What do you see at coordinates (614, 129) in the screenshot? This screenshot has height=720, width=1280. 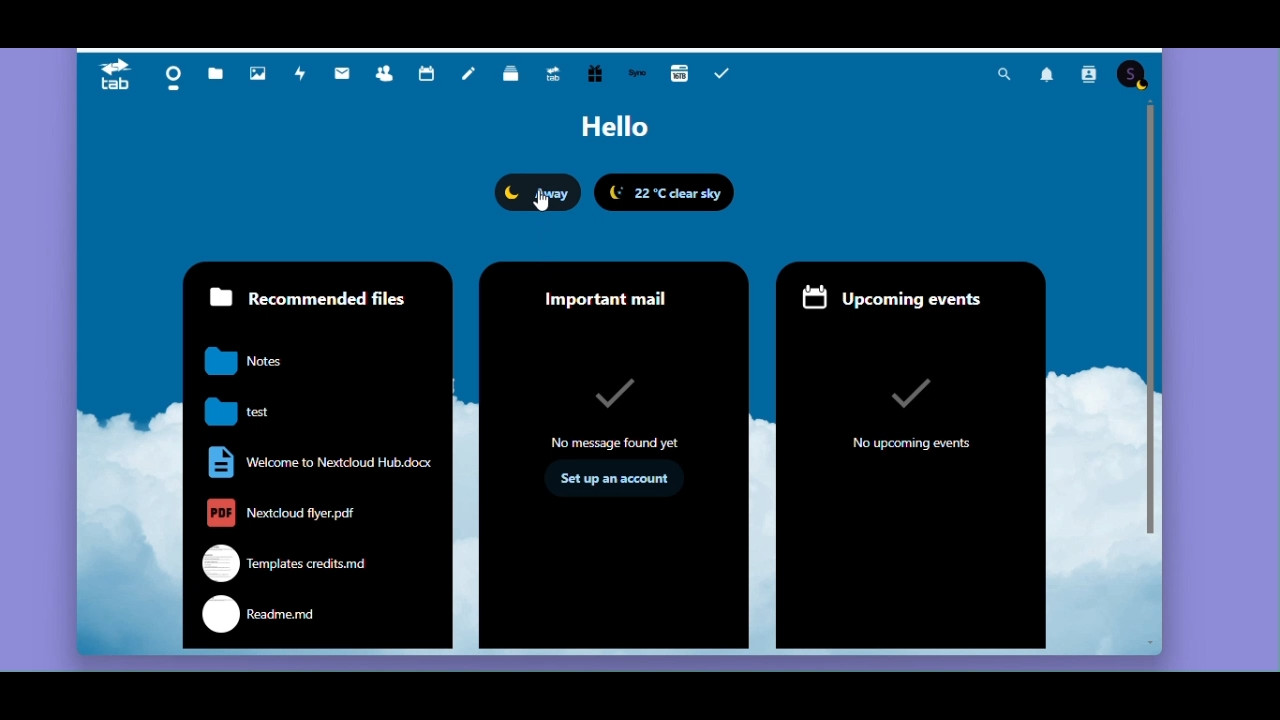 I see `Hello` at bounding box center [614, 129].